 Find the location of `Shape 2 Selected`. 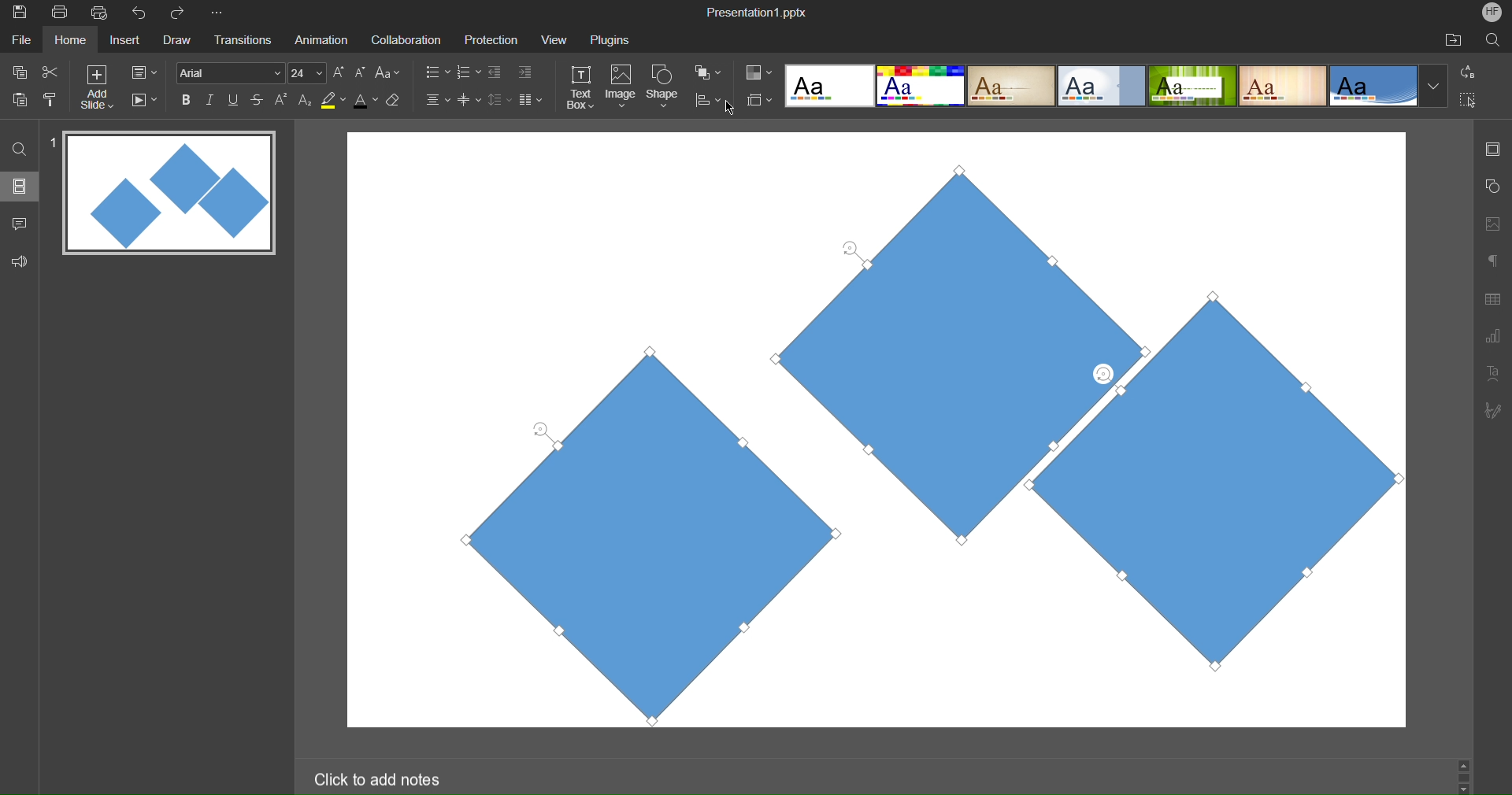

Shape 2 Selected is located at coordinates (982, 348).